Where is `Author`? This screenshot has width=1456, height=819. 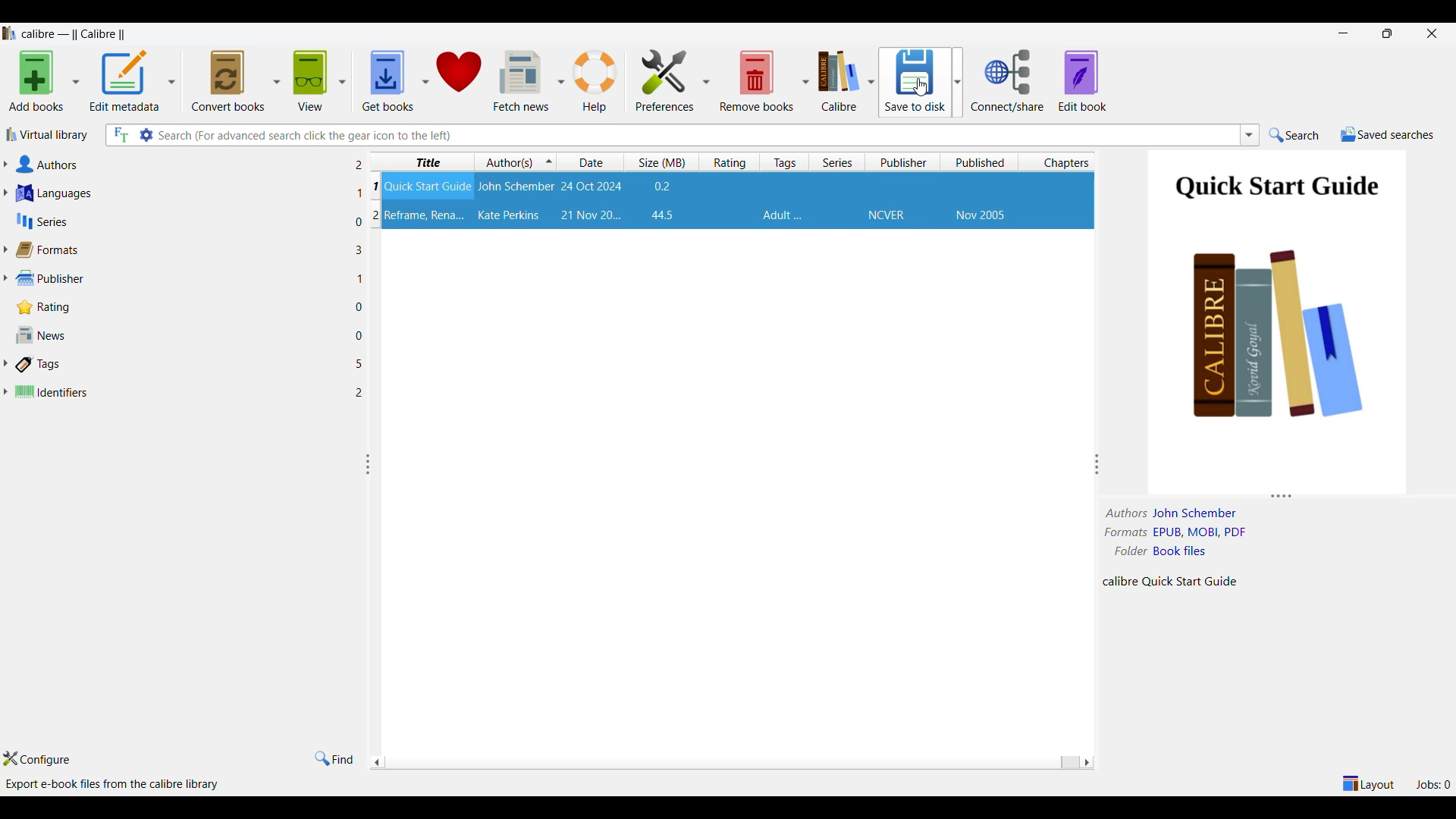
Author is located at coordinates (517, 187).